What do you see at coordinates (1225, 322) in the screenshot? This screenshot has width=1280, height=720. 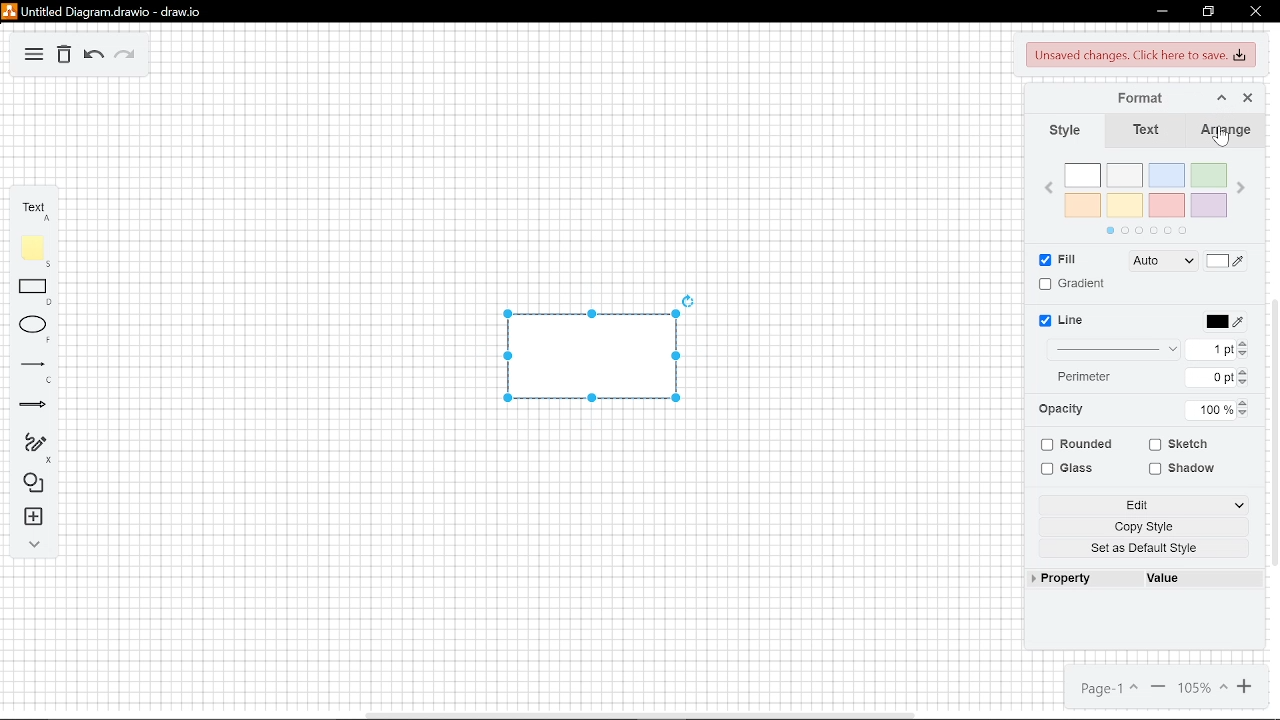 I see `line color` at bounding box center [1225, 322].